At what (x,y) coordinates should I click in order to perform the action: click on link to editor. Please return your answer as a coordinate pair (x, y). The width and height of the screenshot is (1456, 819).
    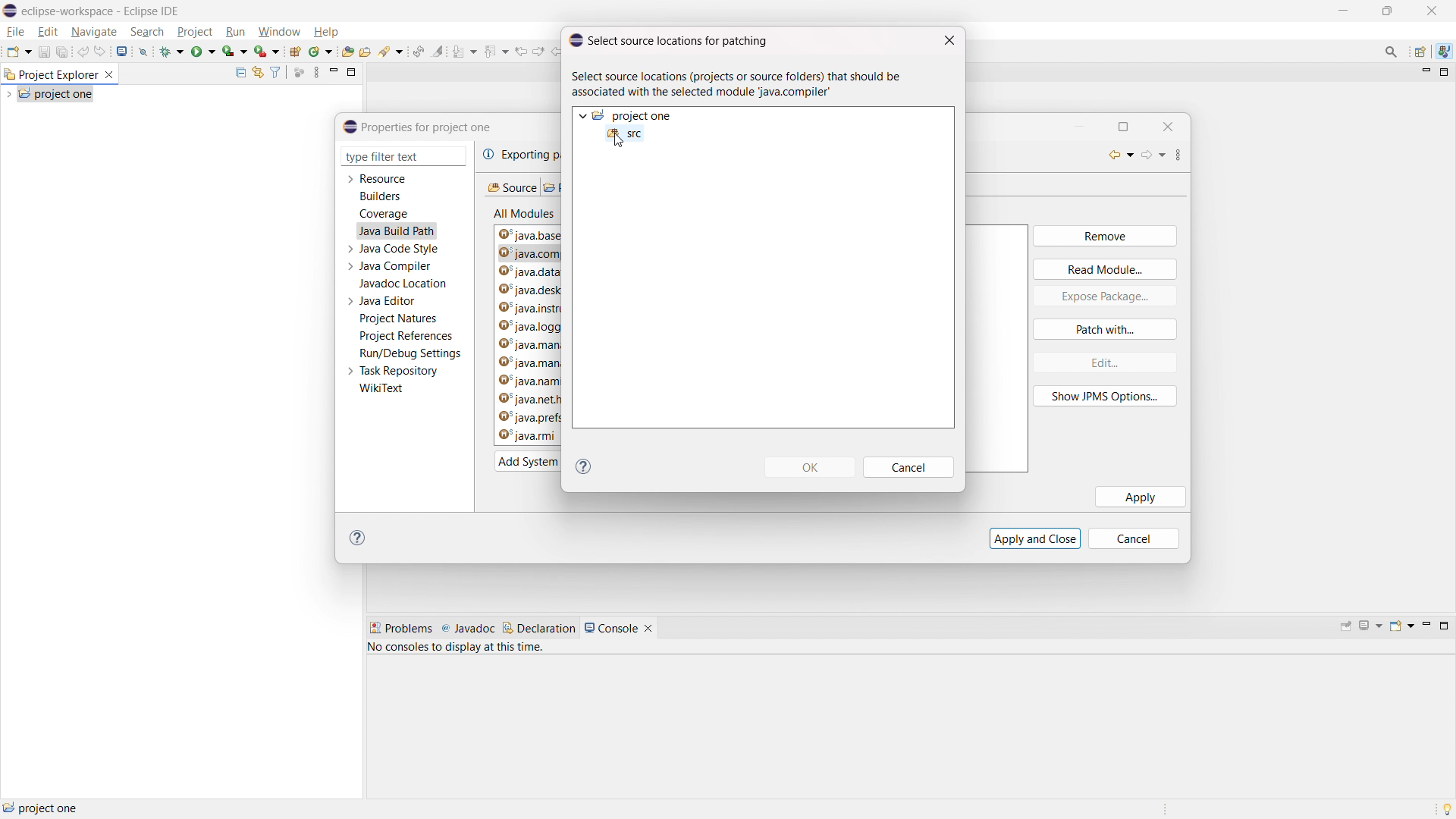
    Looking at the image, I should click on (256, 73).